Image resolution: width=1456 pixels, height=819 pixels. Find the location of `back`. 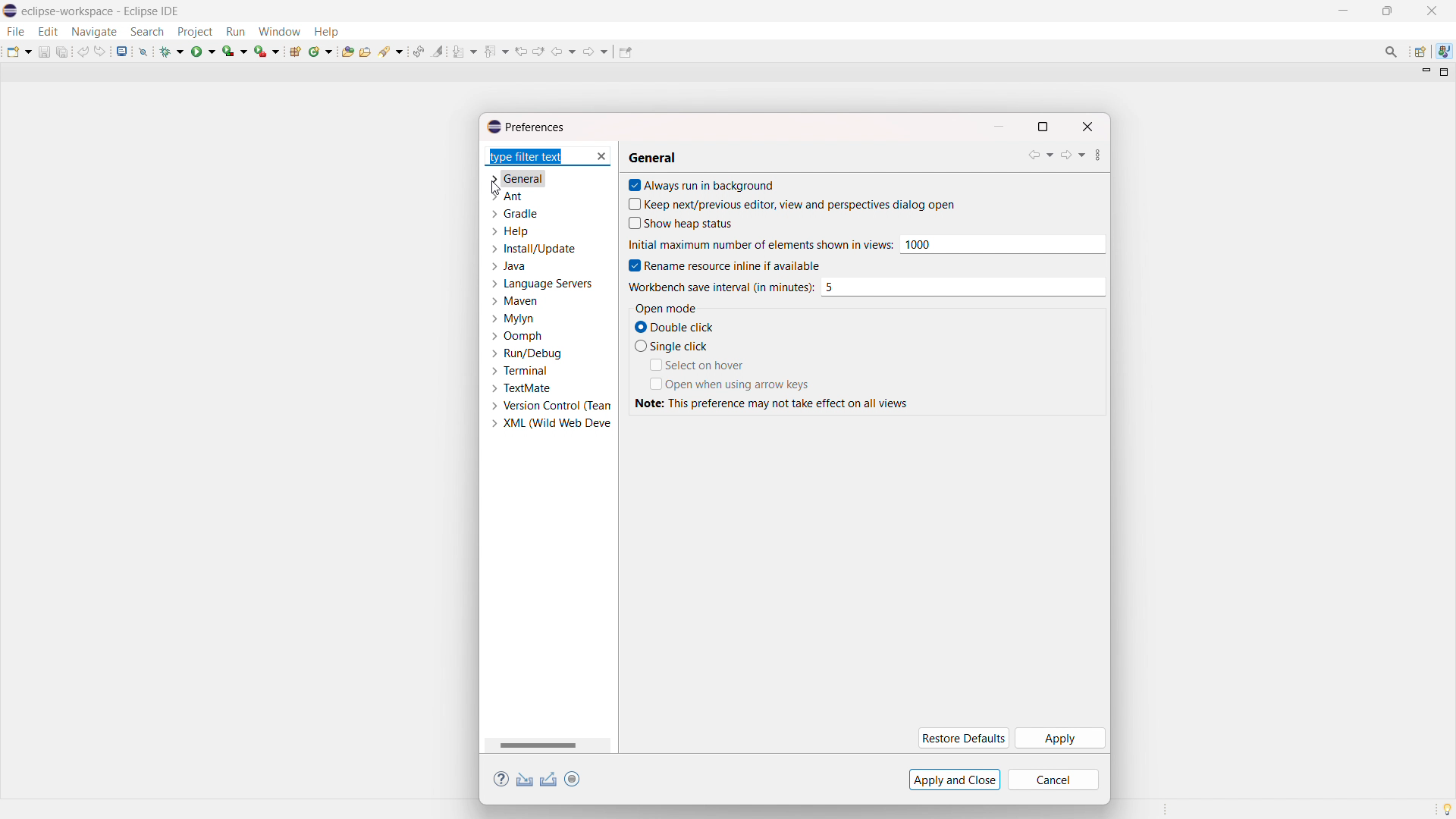

back is located at coordinates (563, 52).